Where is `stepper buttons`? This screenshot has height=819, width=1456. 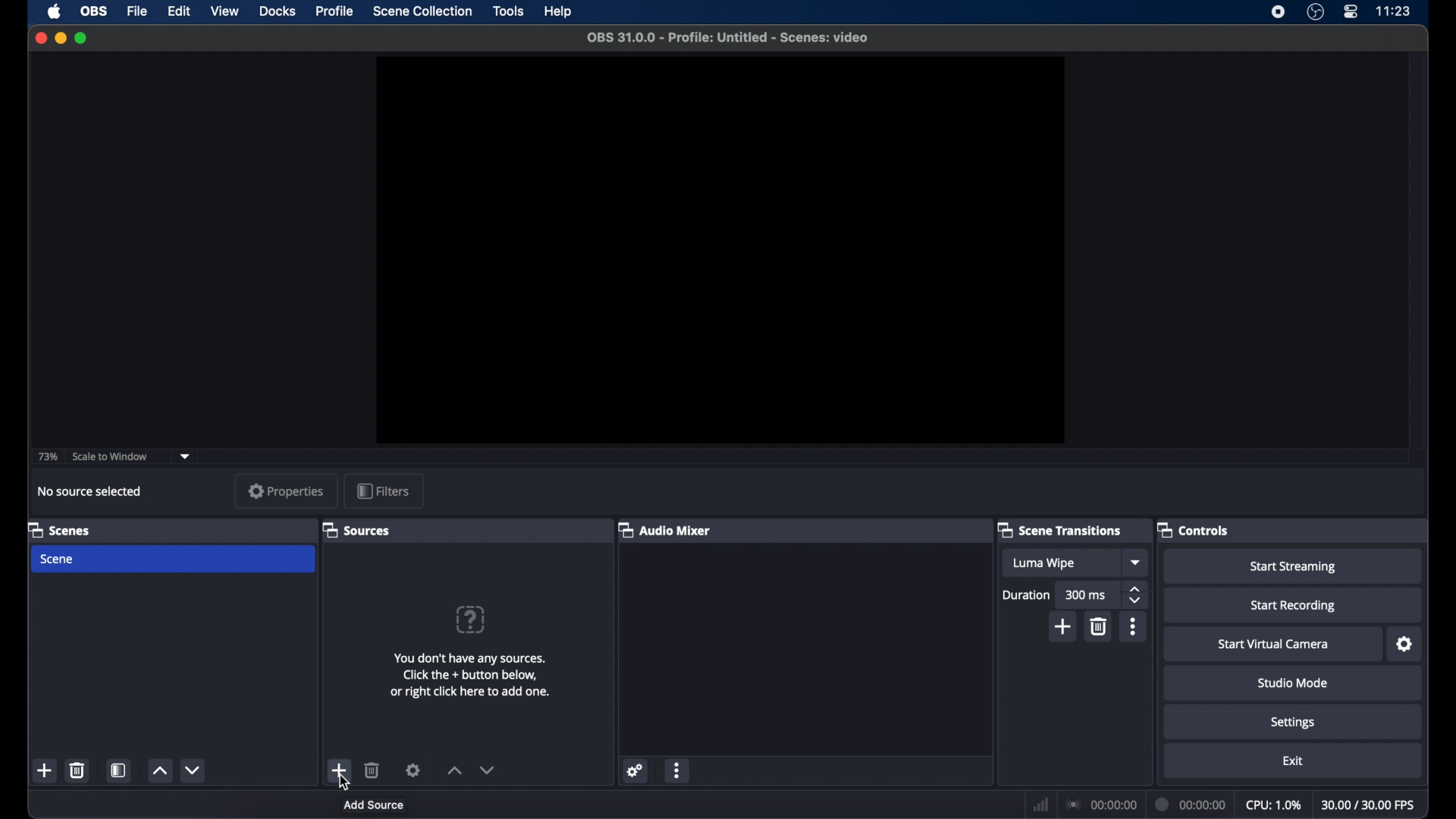 stepper buttons is located at coordinates (1134, 595).